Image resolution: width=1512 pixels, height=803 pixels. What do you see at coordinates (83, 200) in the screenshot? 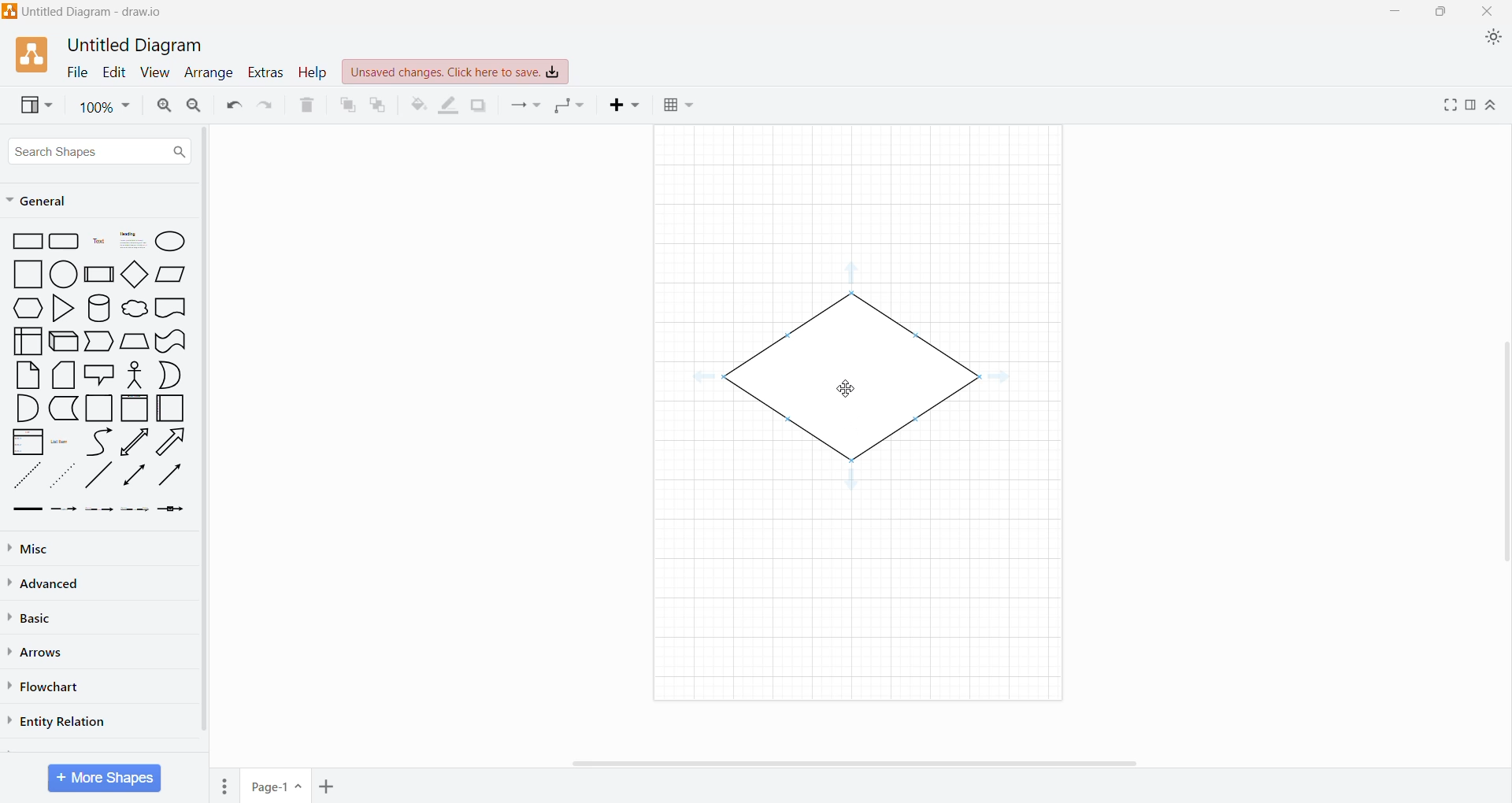
I see `General` at bounding box center [83, 200].